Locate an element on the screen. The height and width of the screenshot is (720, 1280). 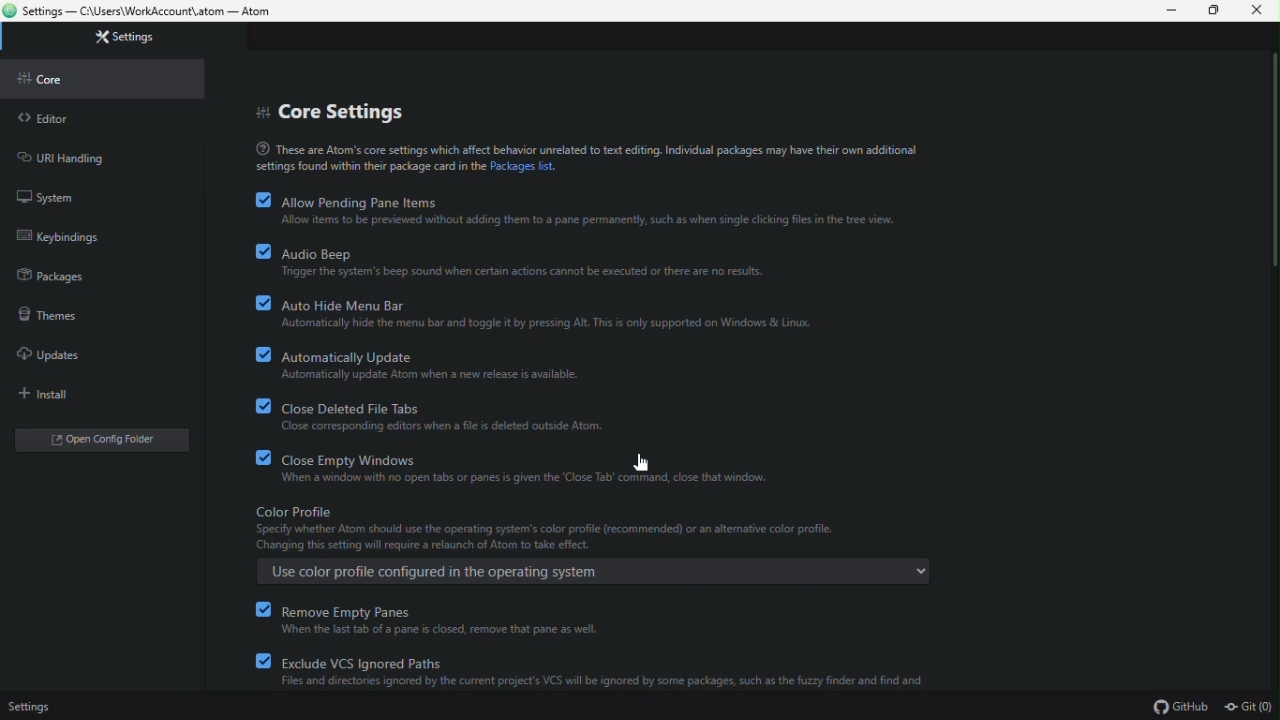
text is located at coordinates (594, 157).